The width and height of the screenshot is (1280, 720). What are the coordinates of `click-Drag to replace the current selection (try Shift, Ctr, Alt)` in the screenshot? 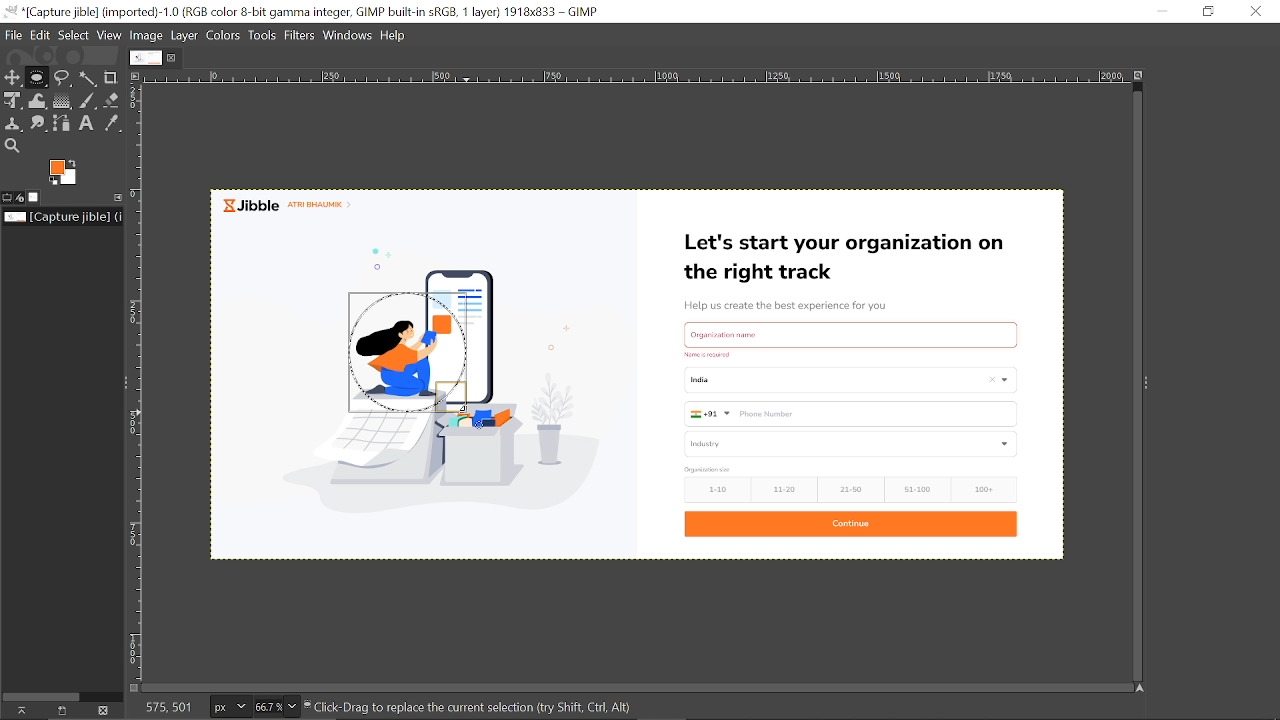 It's located at (471, 706).